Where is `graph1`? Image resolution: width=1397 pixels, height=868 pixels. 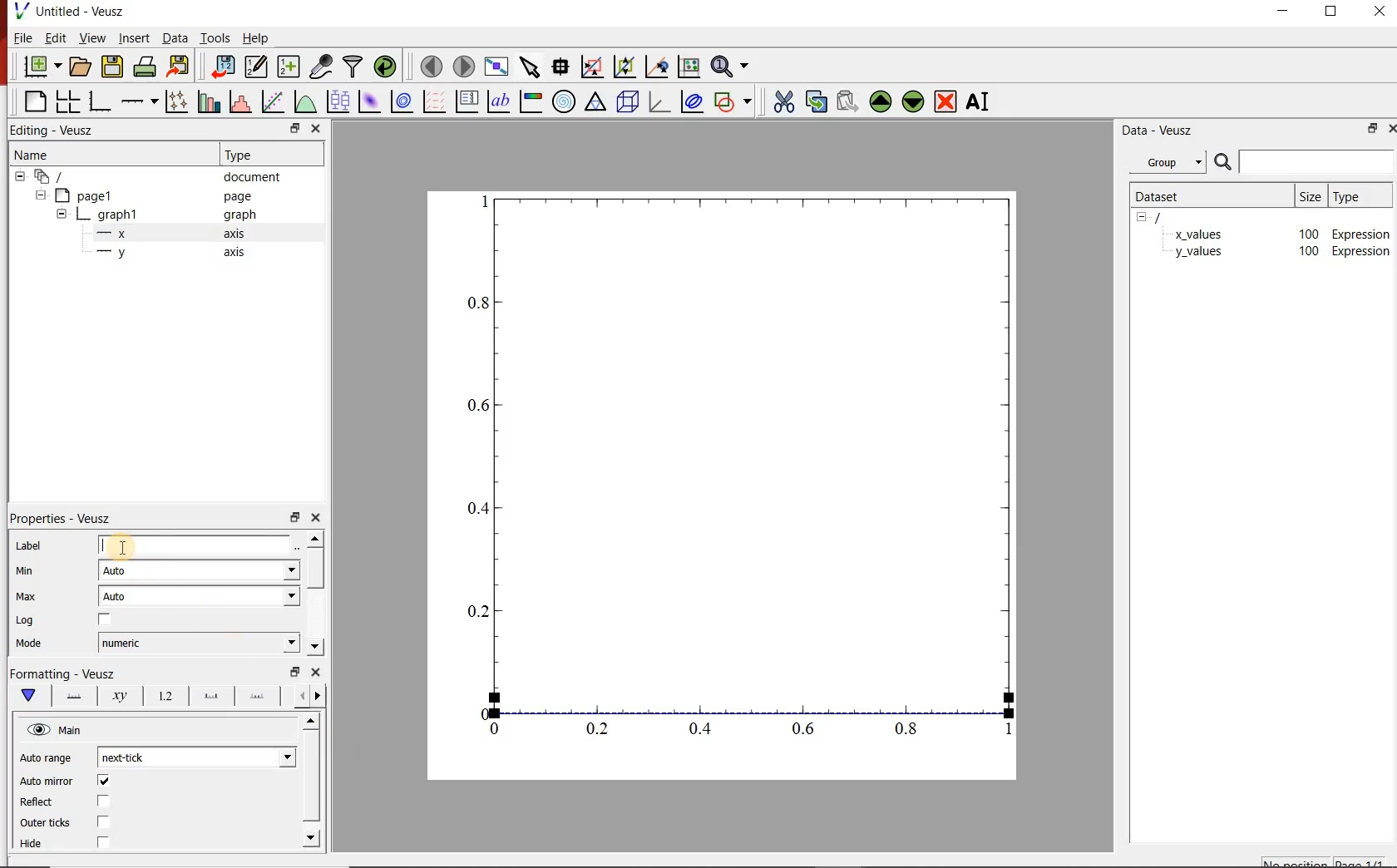 graph1 is located at coordinates (120, 214).